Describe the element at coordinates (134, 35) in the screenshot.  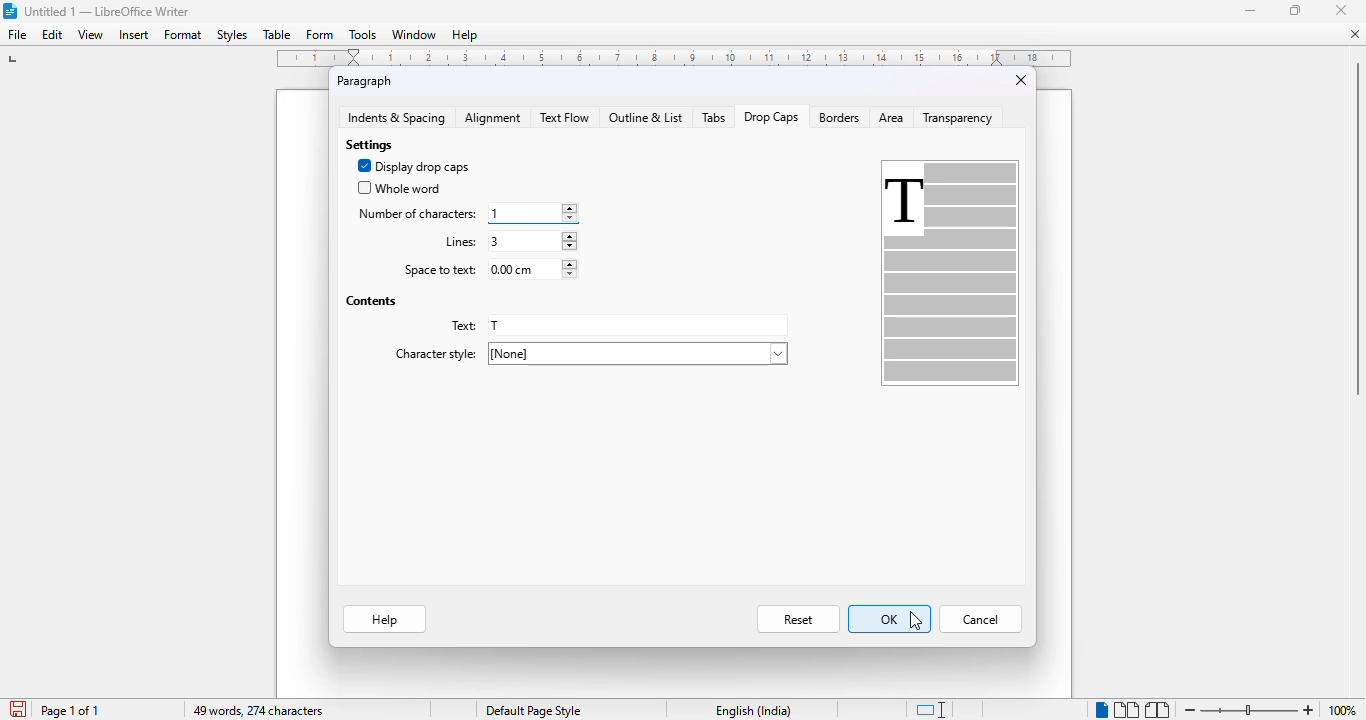
I see `insert` at that location.